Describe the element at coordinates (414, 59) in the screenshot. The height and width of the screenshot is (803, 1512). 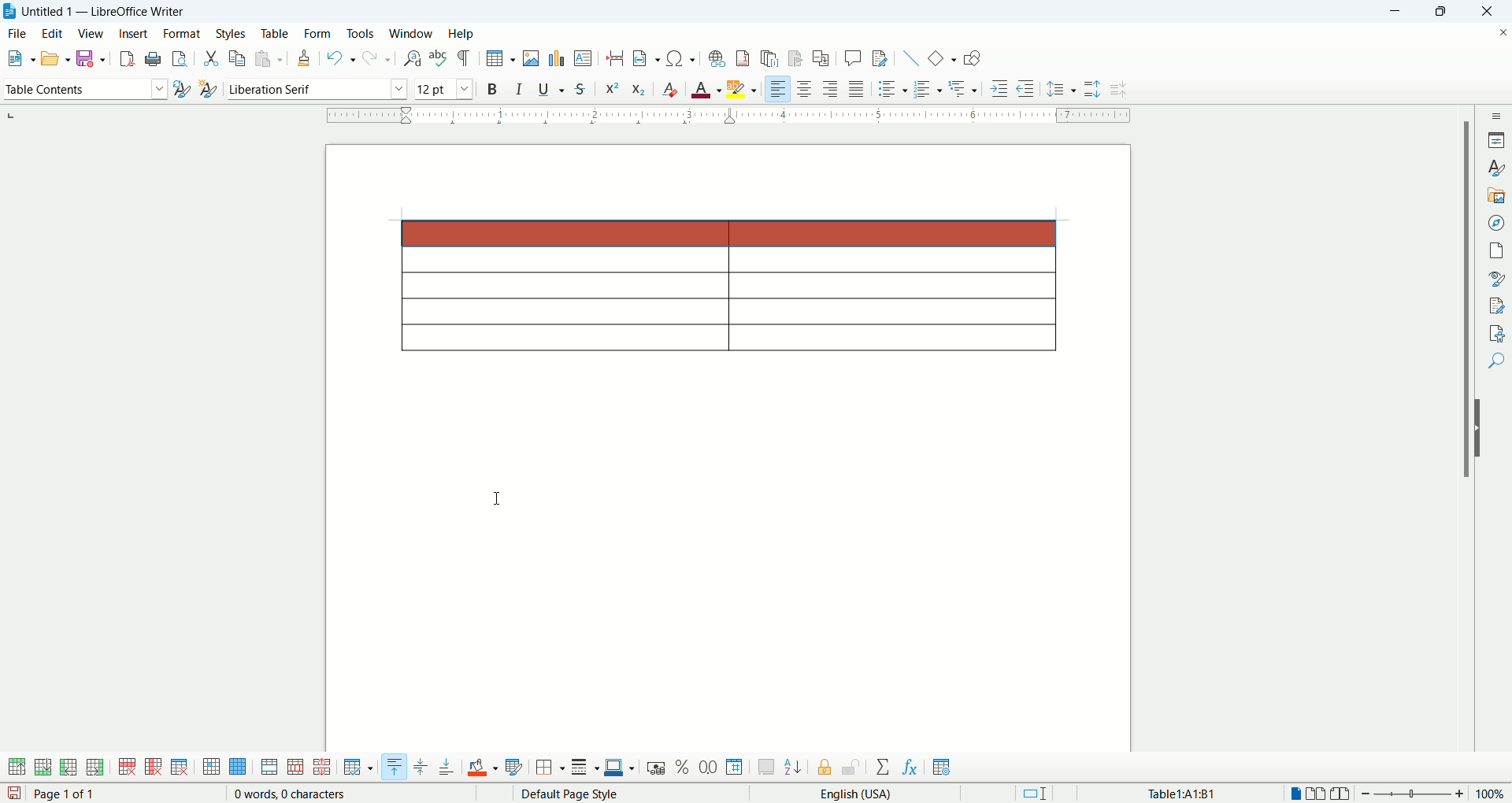
I see `find and replace` at that location.